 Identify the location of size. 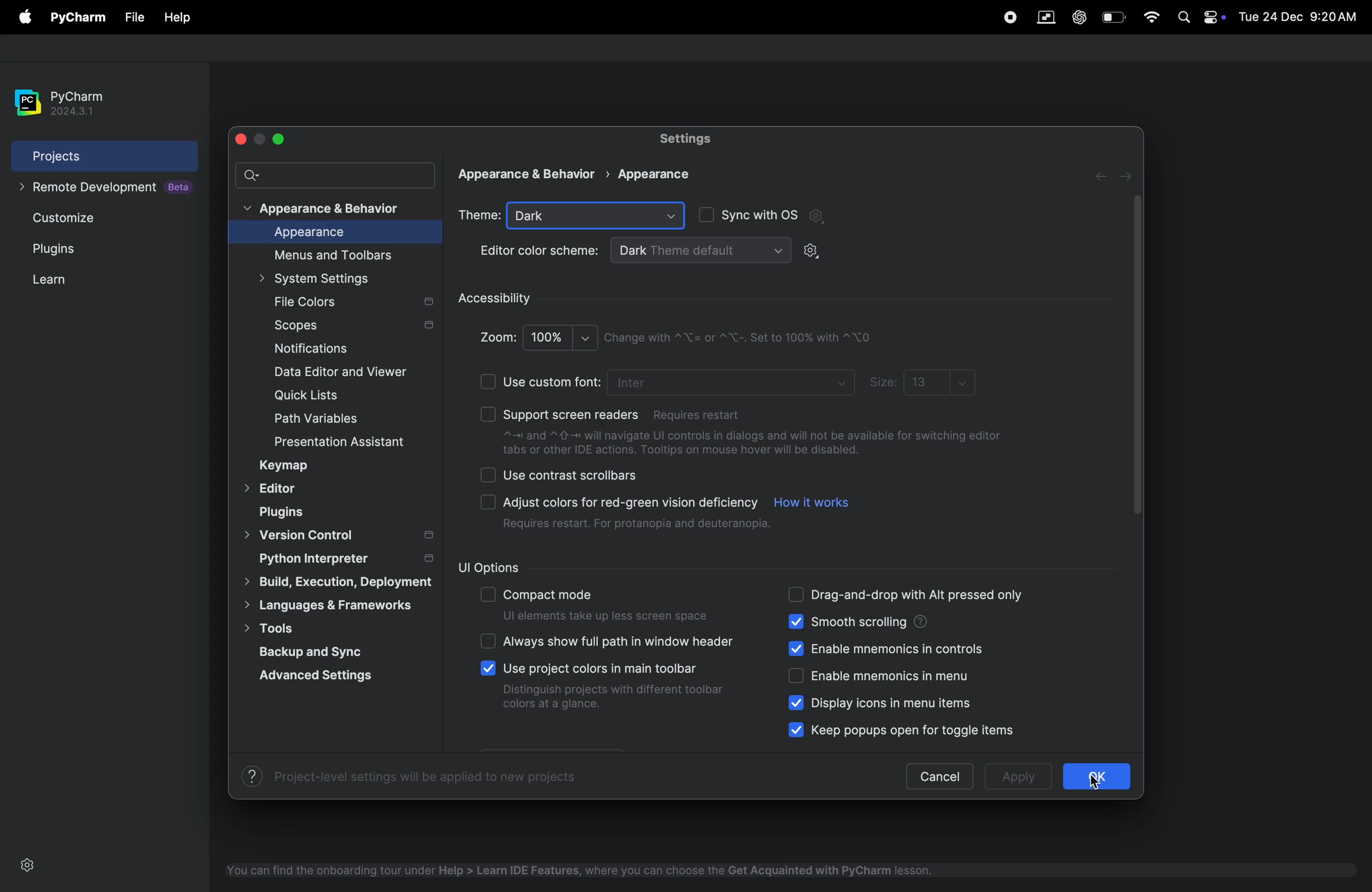
(883, 383).